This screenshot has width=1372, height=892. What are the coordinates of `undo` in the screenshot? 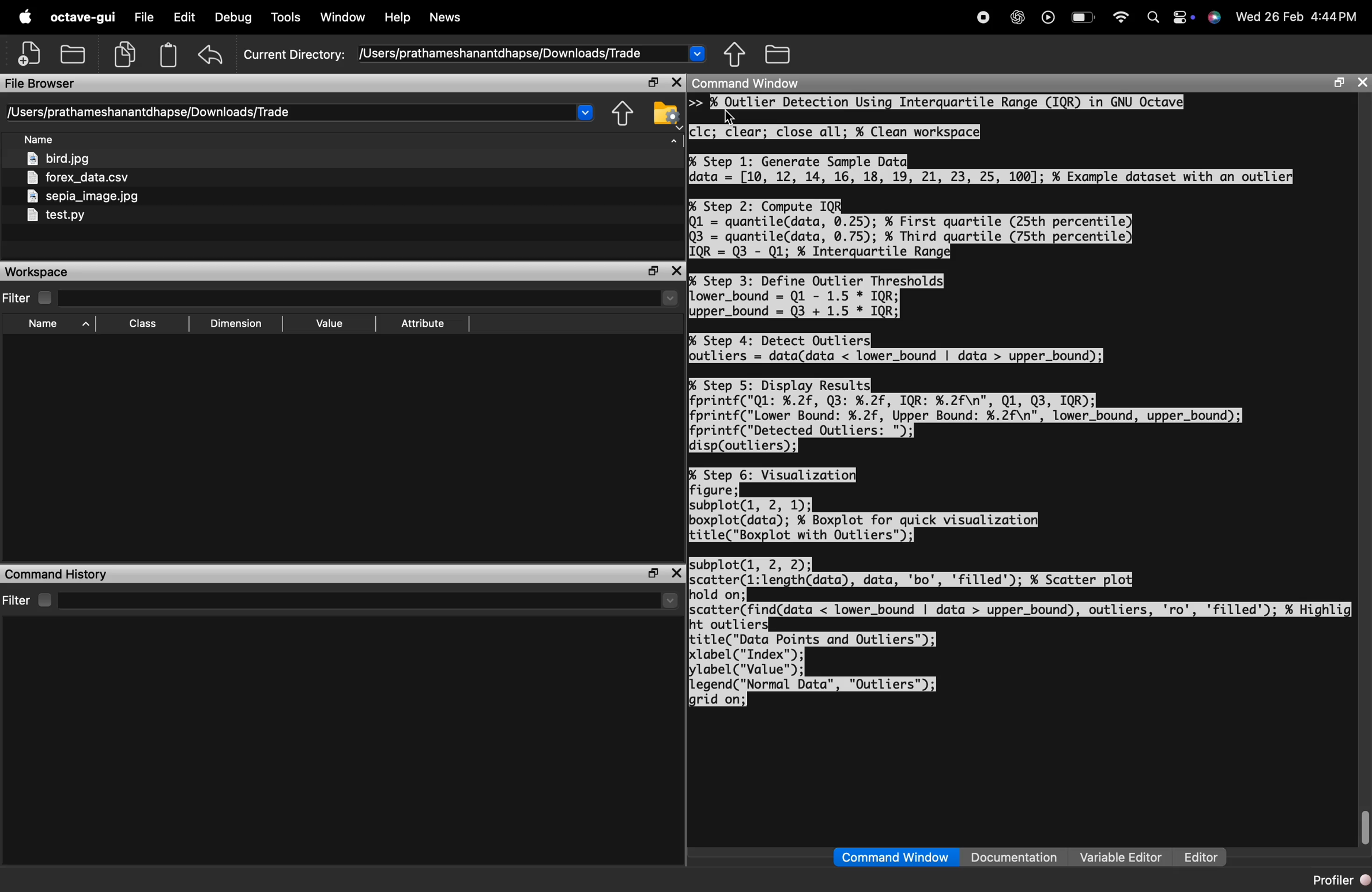 It's located at (210, 55).